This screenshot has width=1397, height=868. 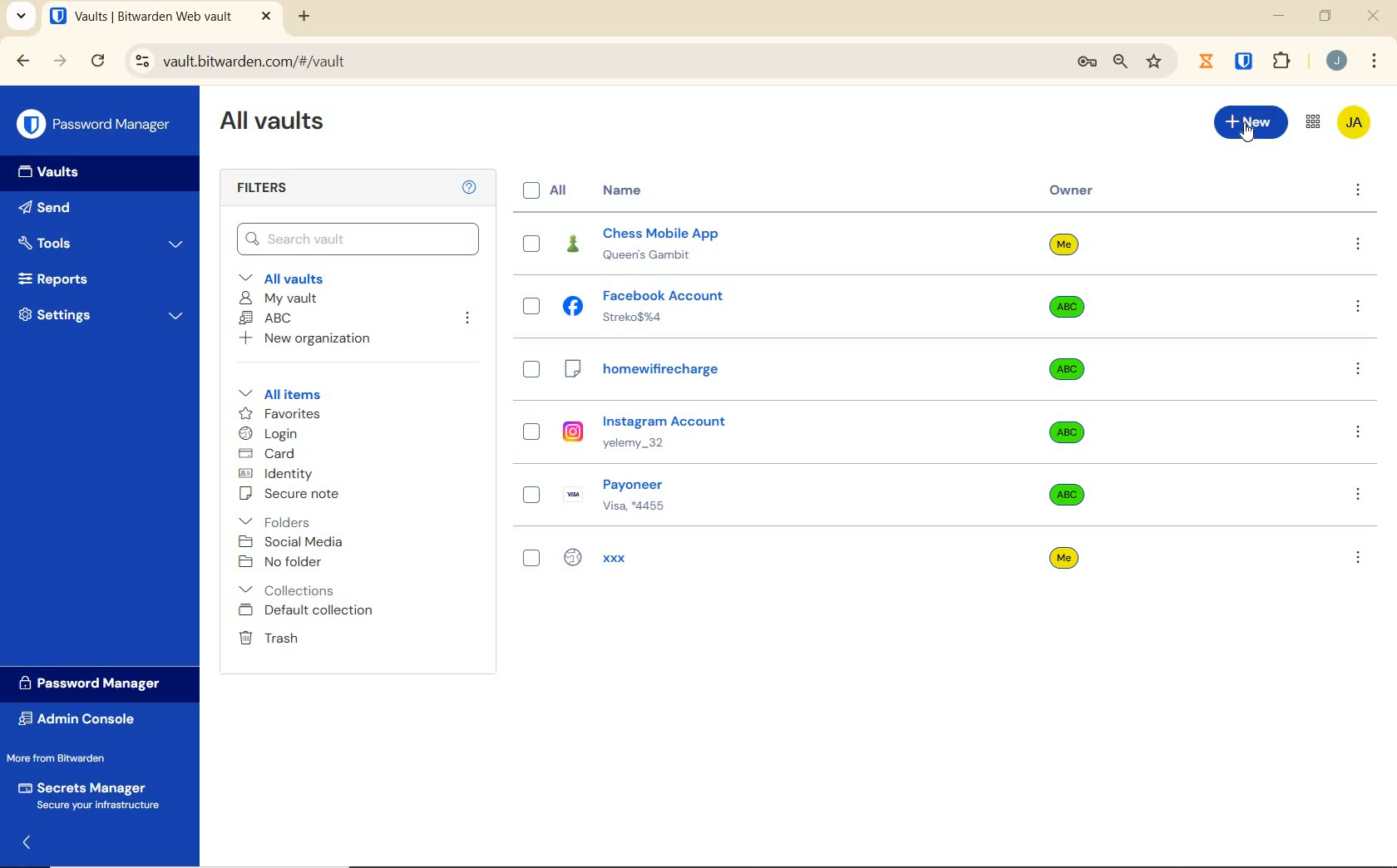 What do you see at coordinates (296, 542) in the screenshot?
I see `social media` at bounding box center [296, 542].